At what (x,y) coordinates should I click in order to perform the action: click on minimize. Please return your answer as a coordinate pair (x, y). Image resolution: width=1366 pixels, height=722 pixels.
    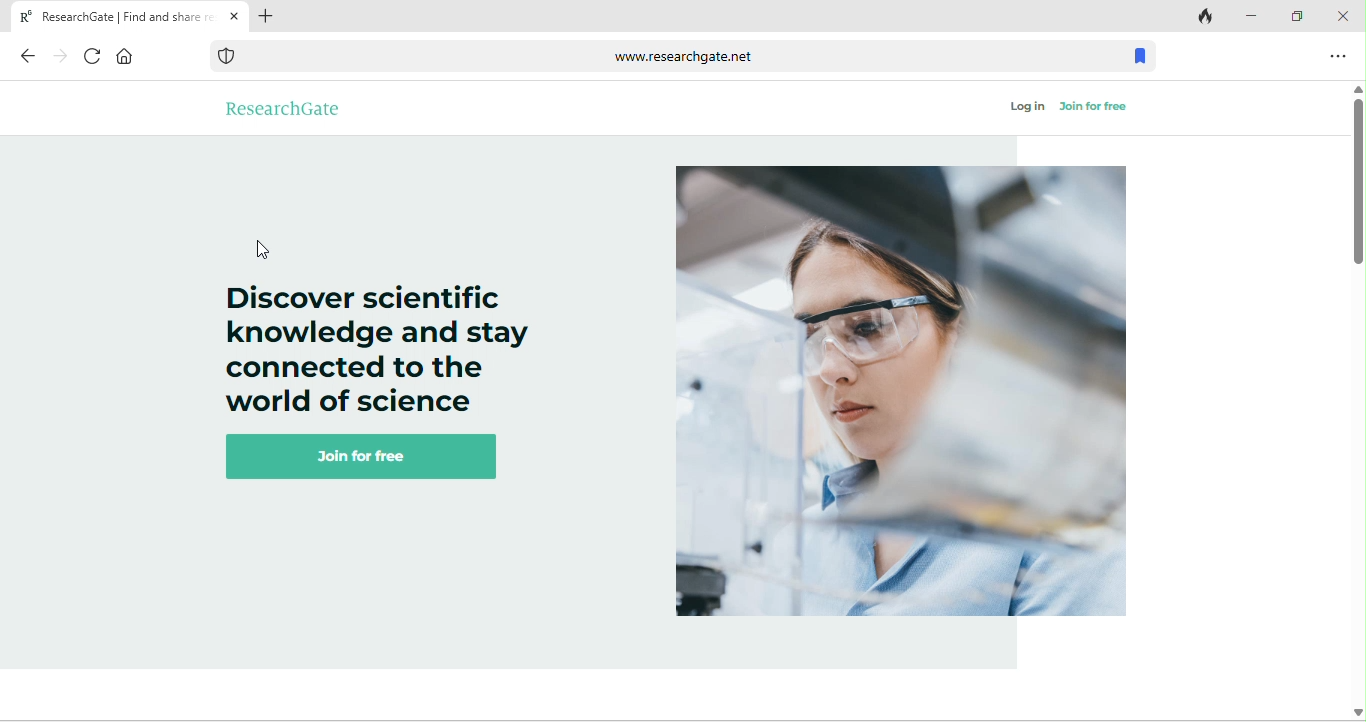
    Looking at the image, I should click on (1250, 14).